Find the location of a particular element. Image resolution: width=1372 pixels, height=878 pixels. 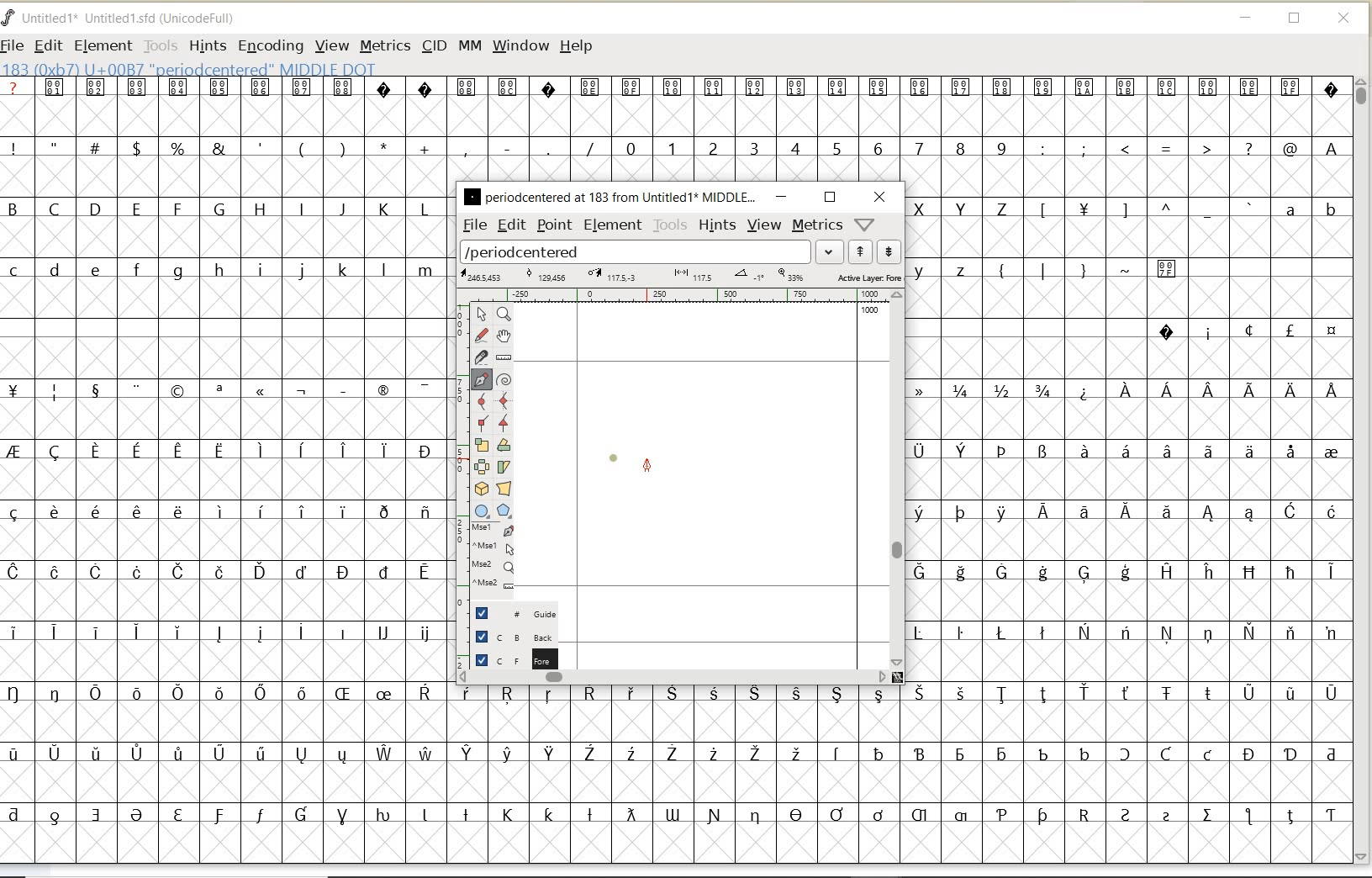

Add a corner point is located at coordinates (504, 421).